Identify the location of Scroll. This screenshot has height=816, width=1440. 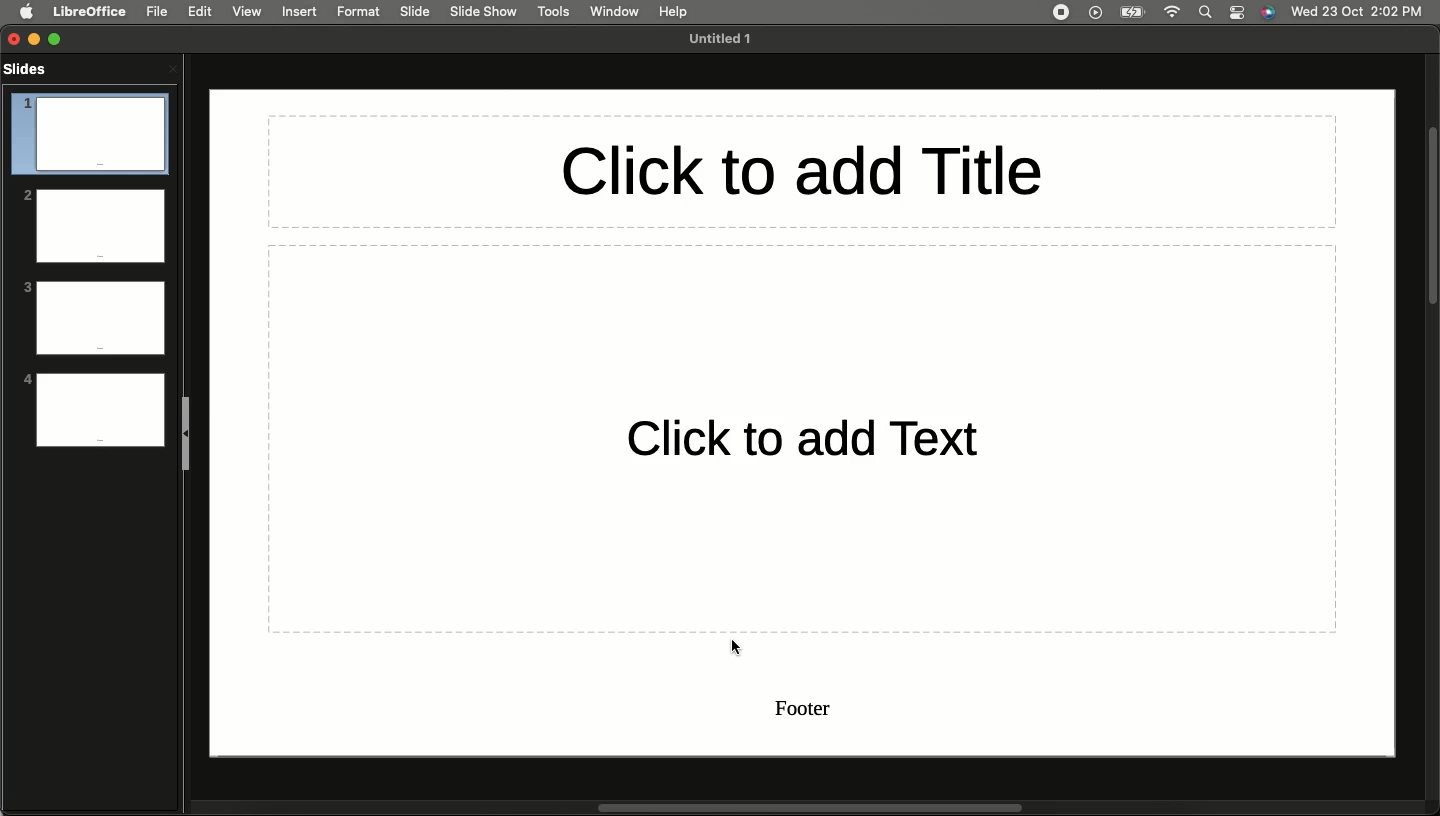
(1431, 217).